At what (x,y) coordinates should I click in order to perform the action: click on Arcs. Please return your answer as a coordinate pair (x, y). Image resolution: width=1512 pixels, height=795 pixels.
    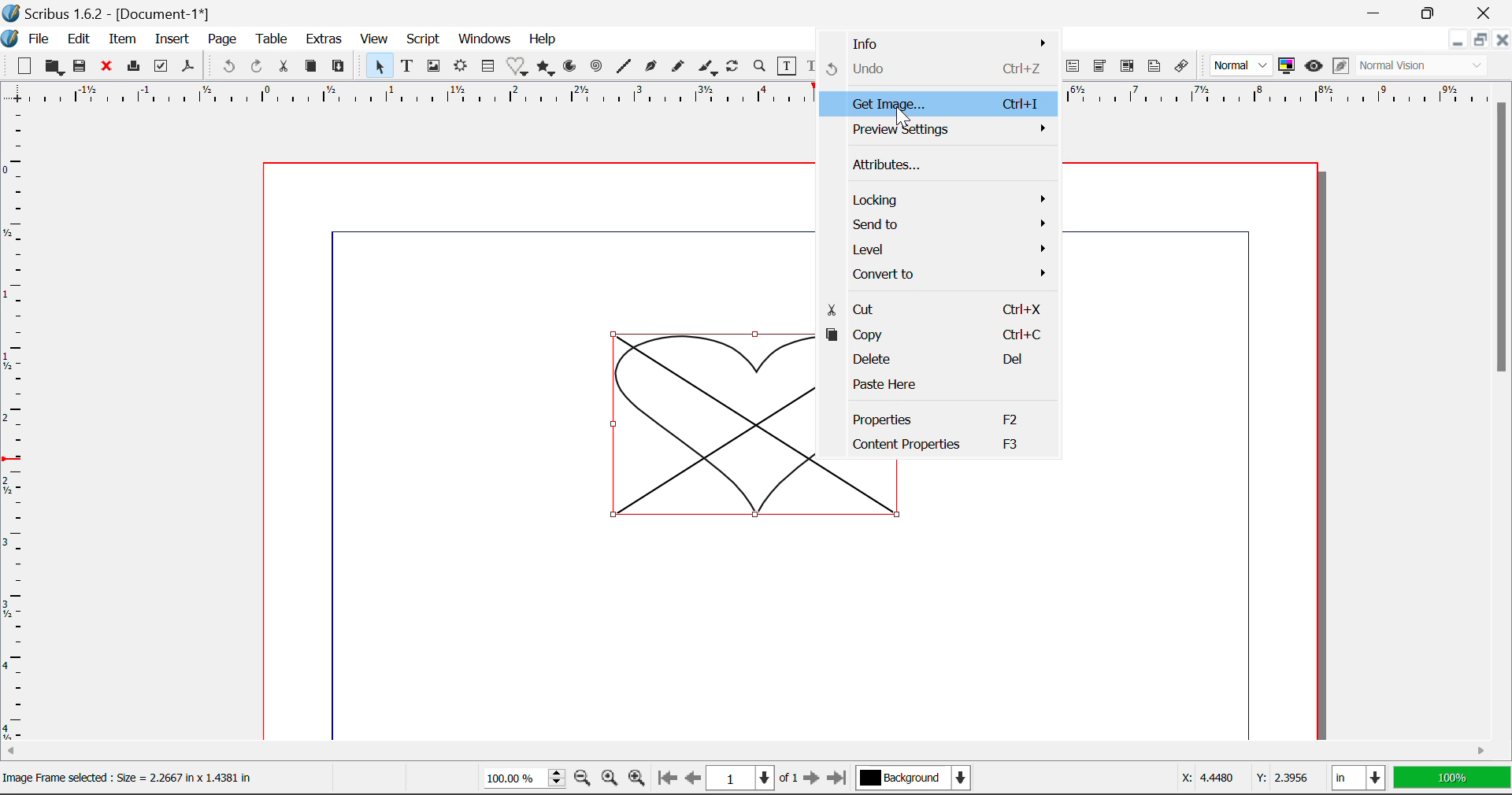
    Looking at the image, I should click on (569, 66).